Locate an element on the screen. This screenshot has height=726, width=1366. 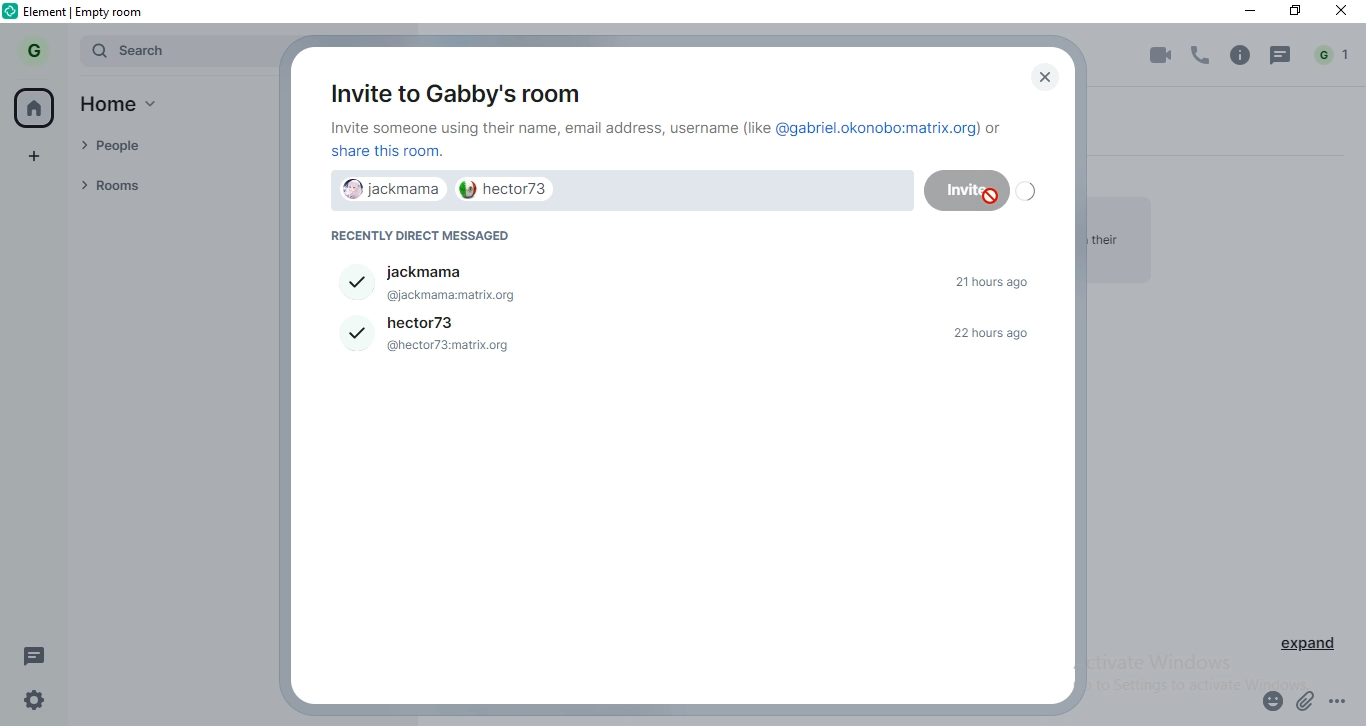
close is located at coordinates (1040, 78).